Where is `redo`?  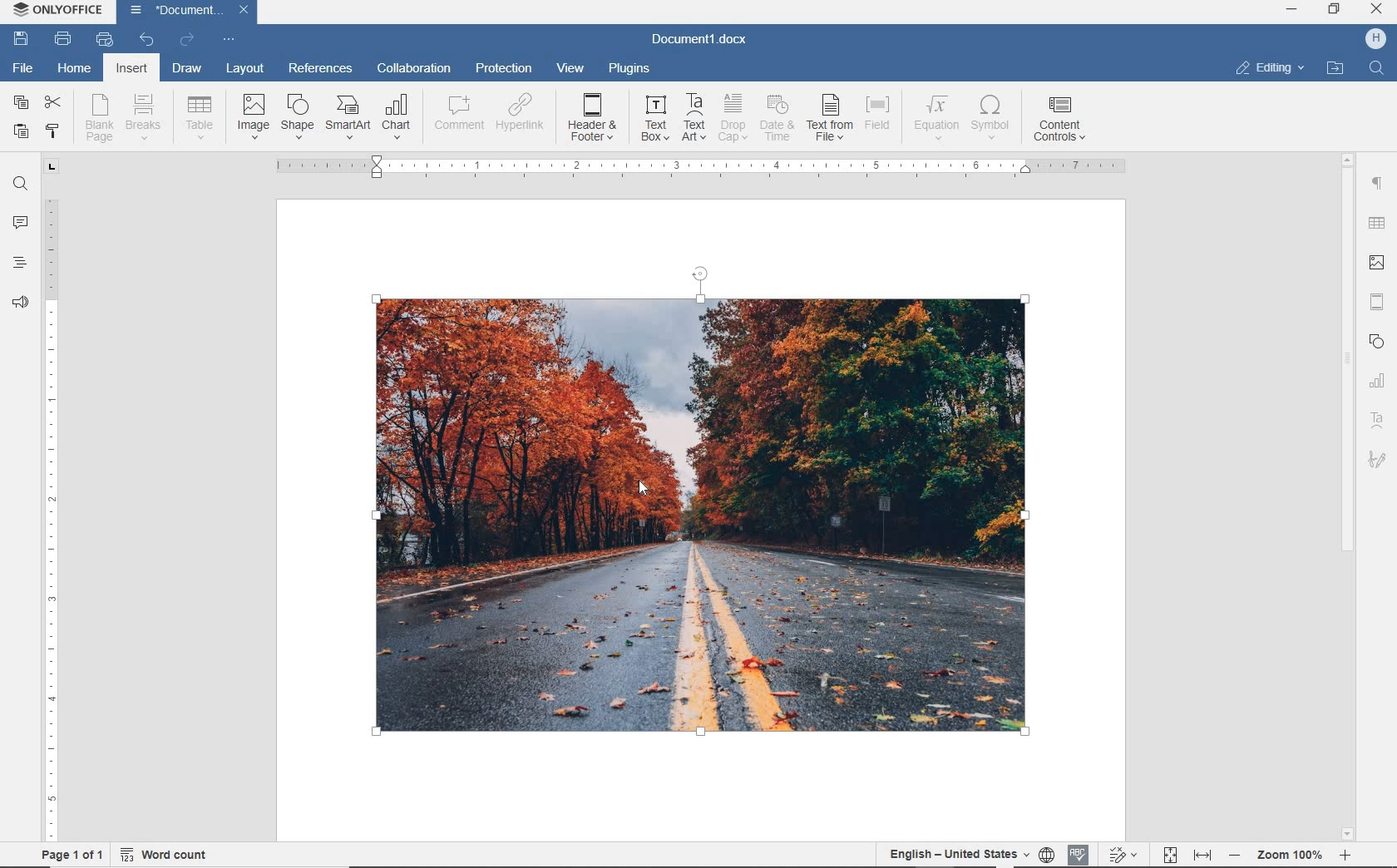 redo is located at coordinates (186, 40).